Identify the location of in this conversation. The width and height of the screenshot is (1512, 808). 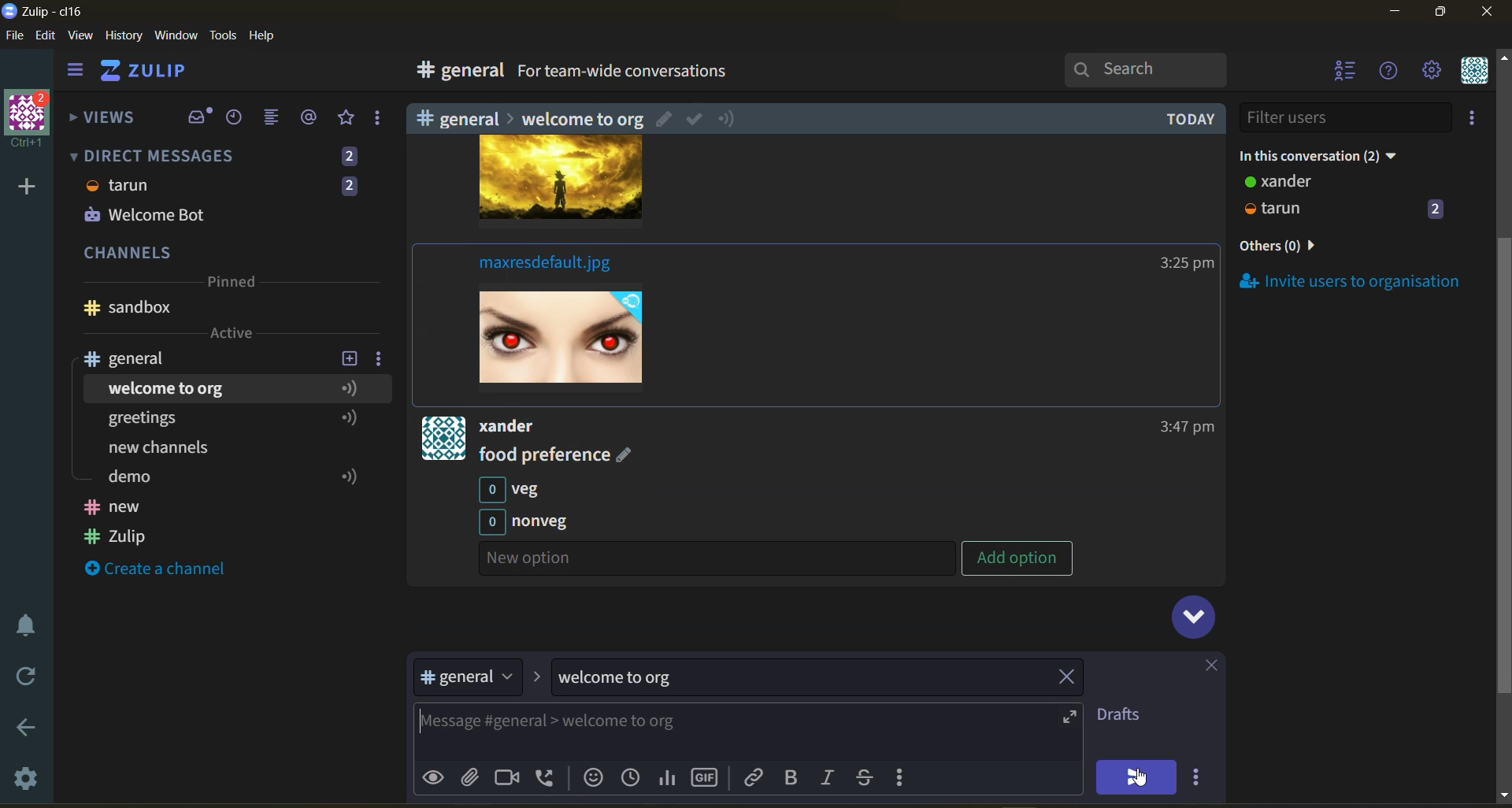
(1335, 153).